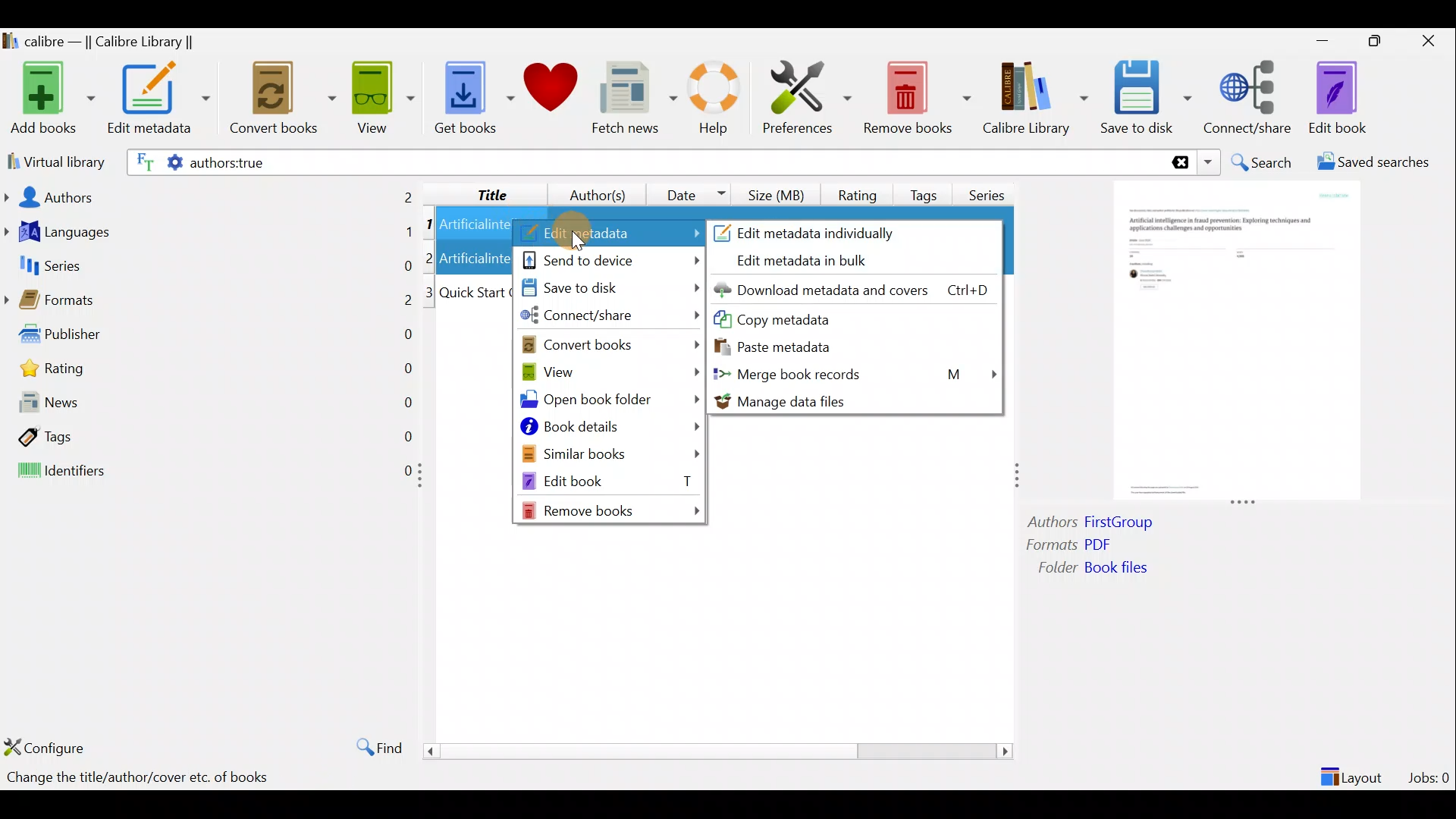 The image size is (1456, 819). I want to click on Jobs: 0, so click(1430, 773).